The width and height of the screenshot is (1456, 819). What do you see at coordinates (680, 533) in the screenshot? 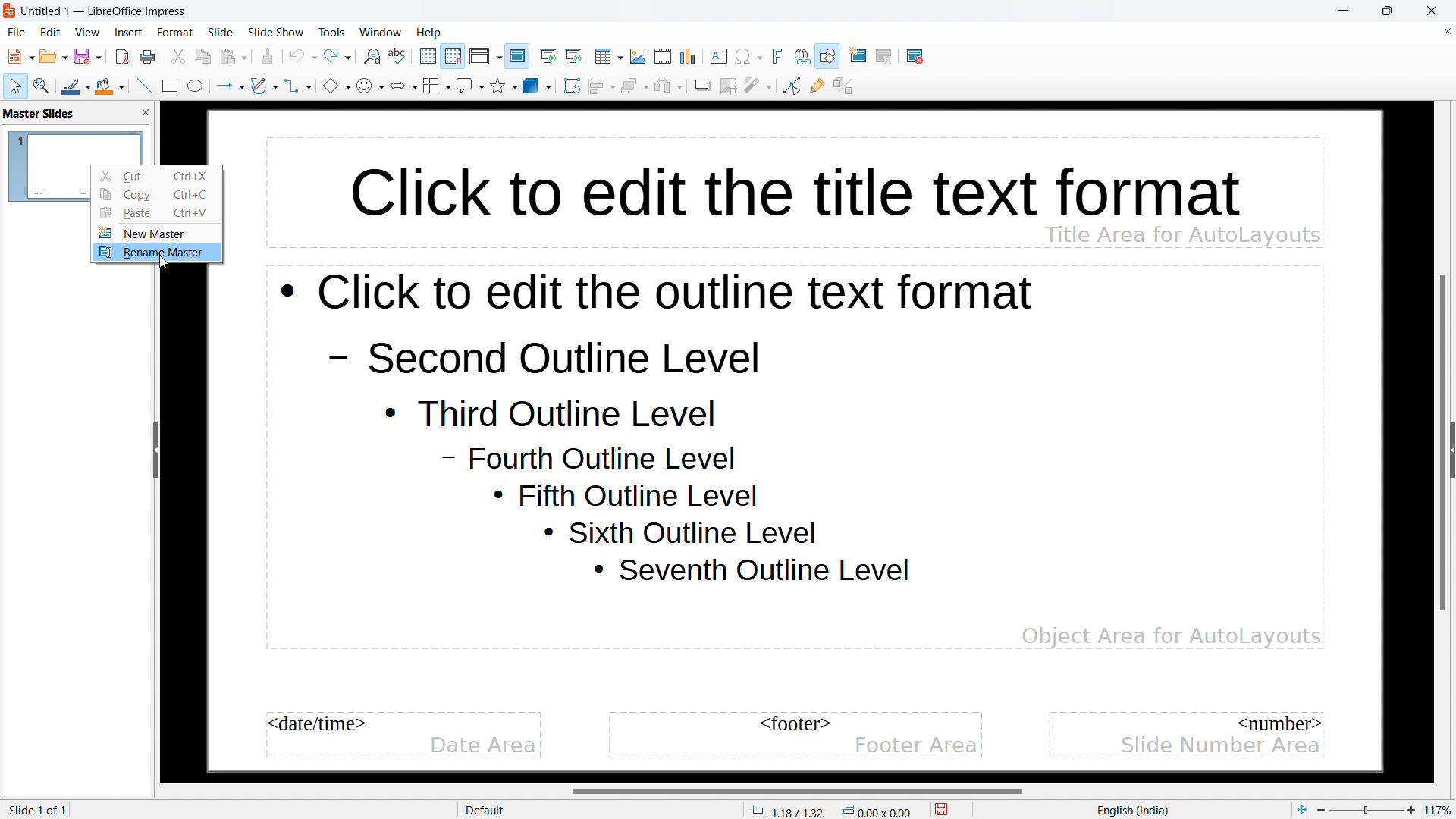
I see `Sixth outline level` at bounding box center [680, 533].